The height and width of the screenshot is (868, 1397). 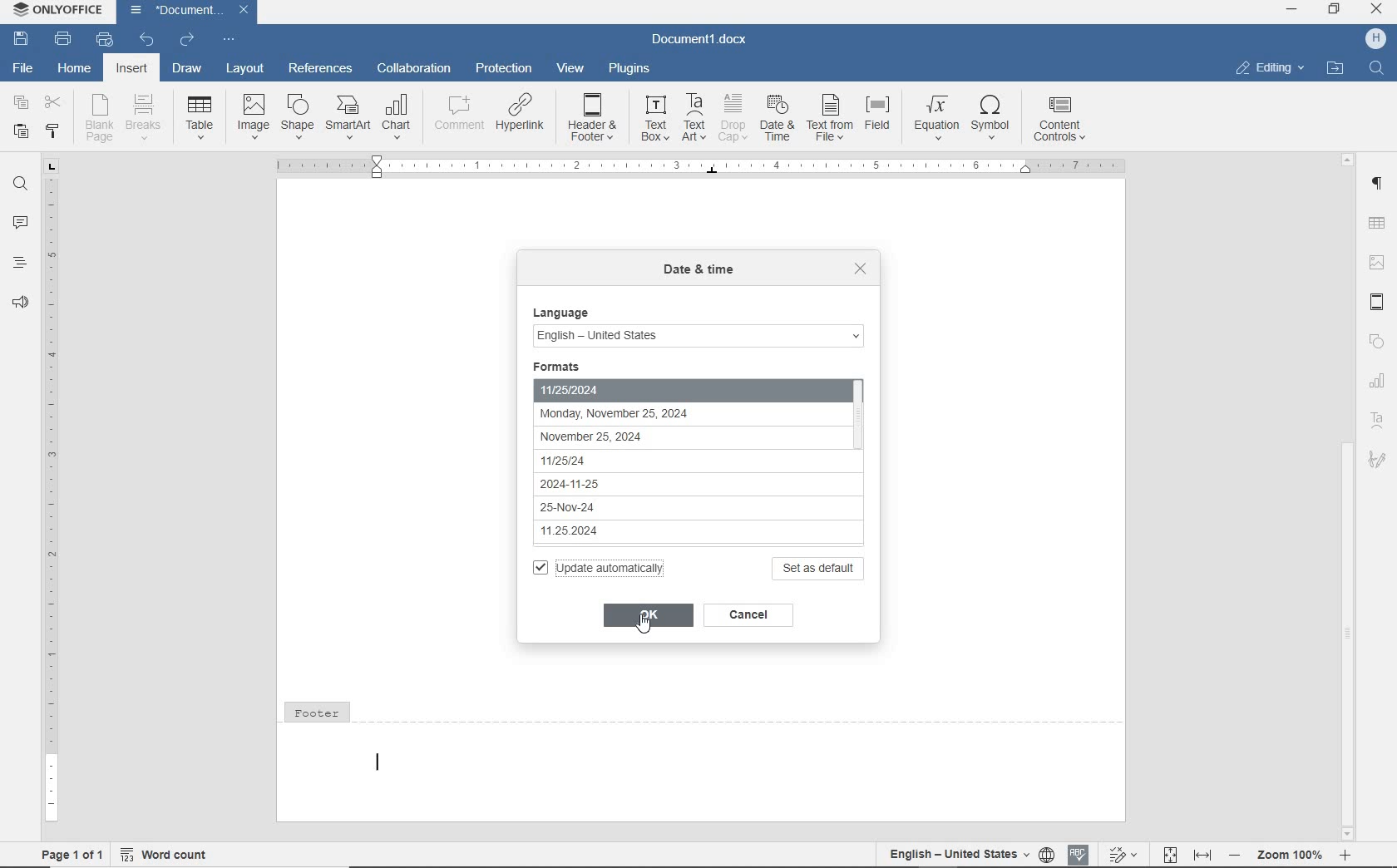 I want to click on text from file, so click(x=830, y=117).